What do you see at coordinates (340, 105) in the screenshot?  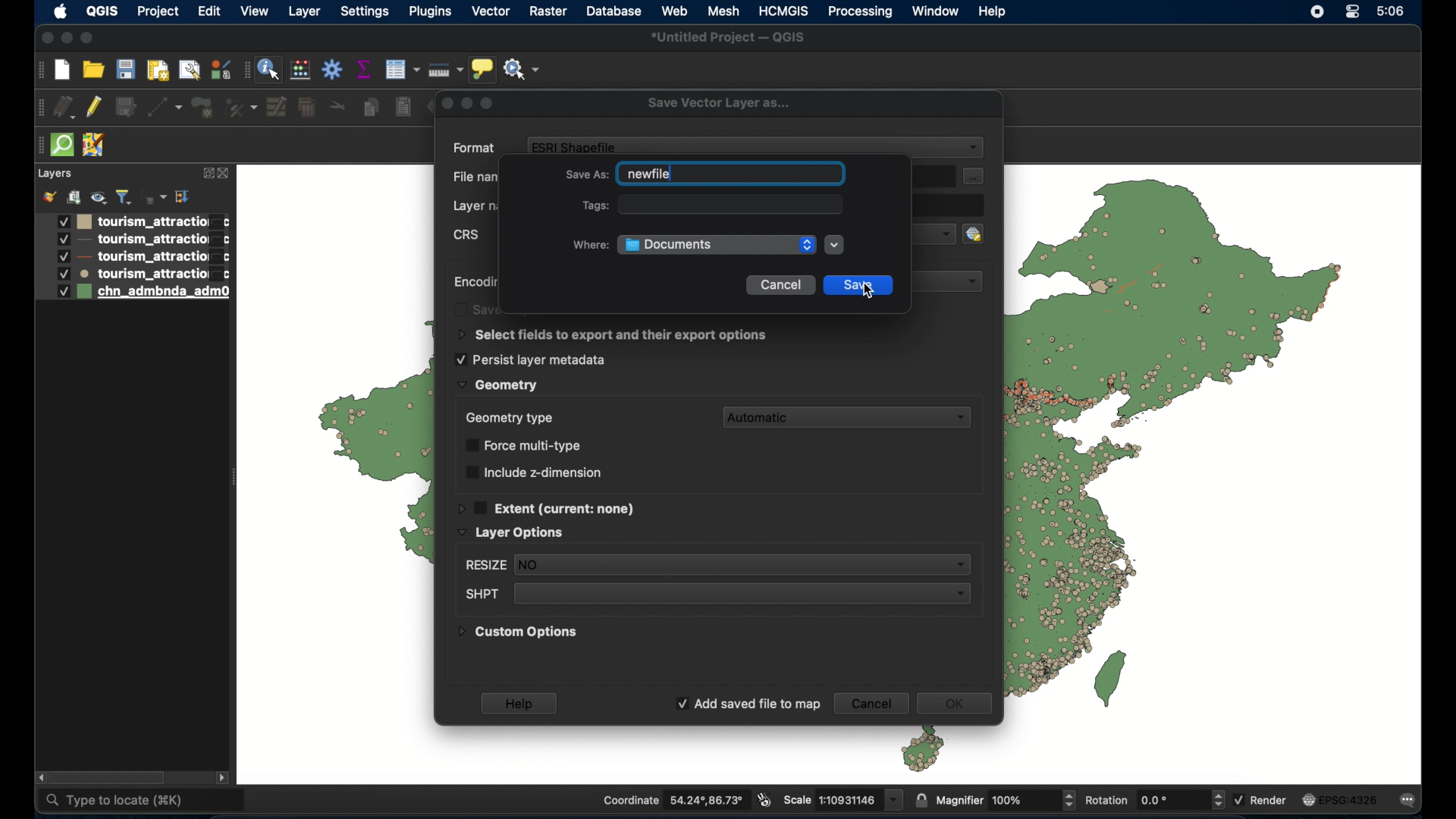 I see `cut features` at bounding box center [340, 105].